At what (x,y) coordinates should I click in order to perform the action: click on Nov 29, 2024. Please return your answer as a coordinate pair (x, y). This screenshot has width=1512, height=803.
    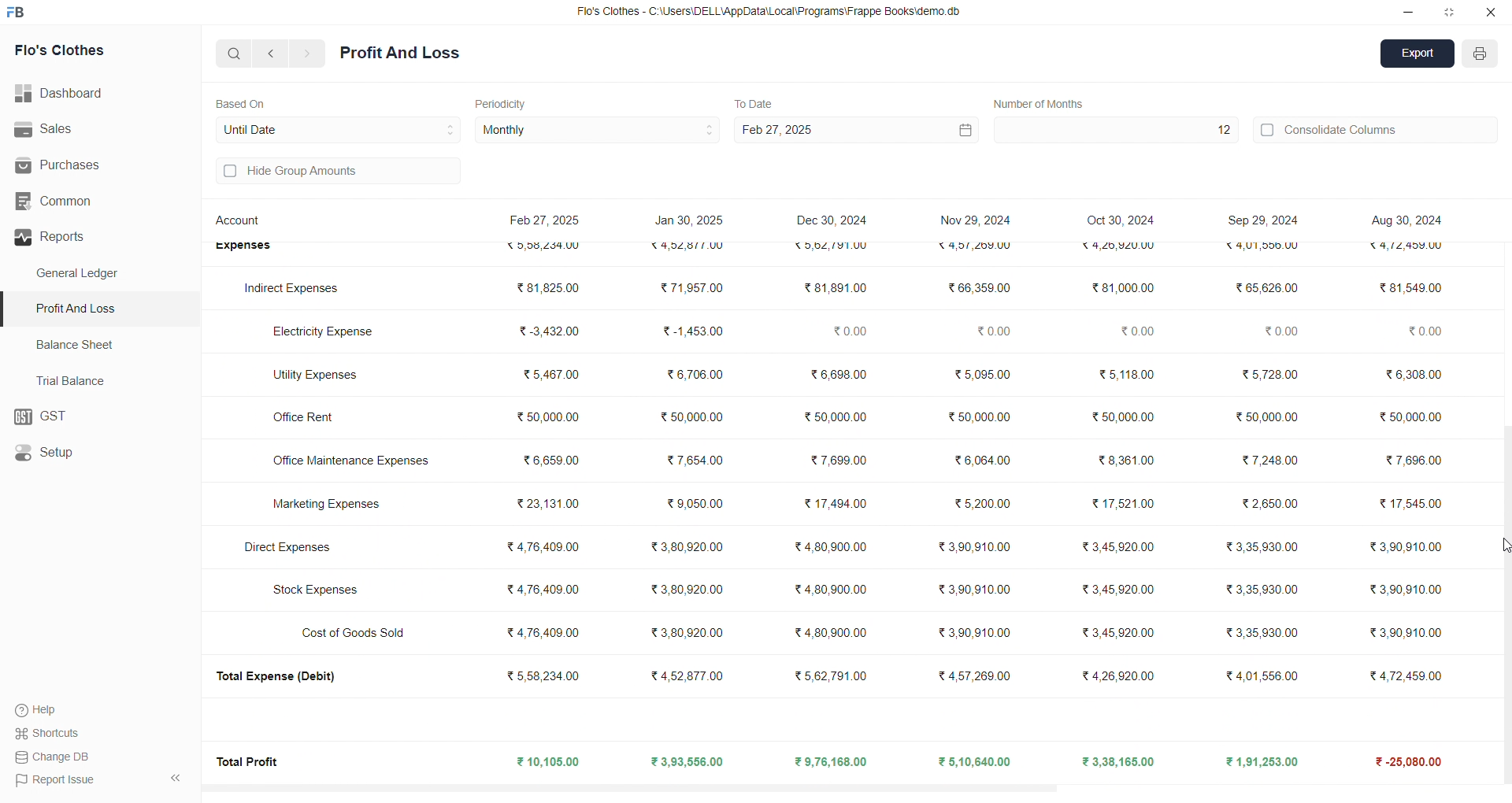
    Looking at the image, I should click on (975, 217).